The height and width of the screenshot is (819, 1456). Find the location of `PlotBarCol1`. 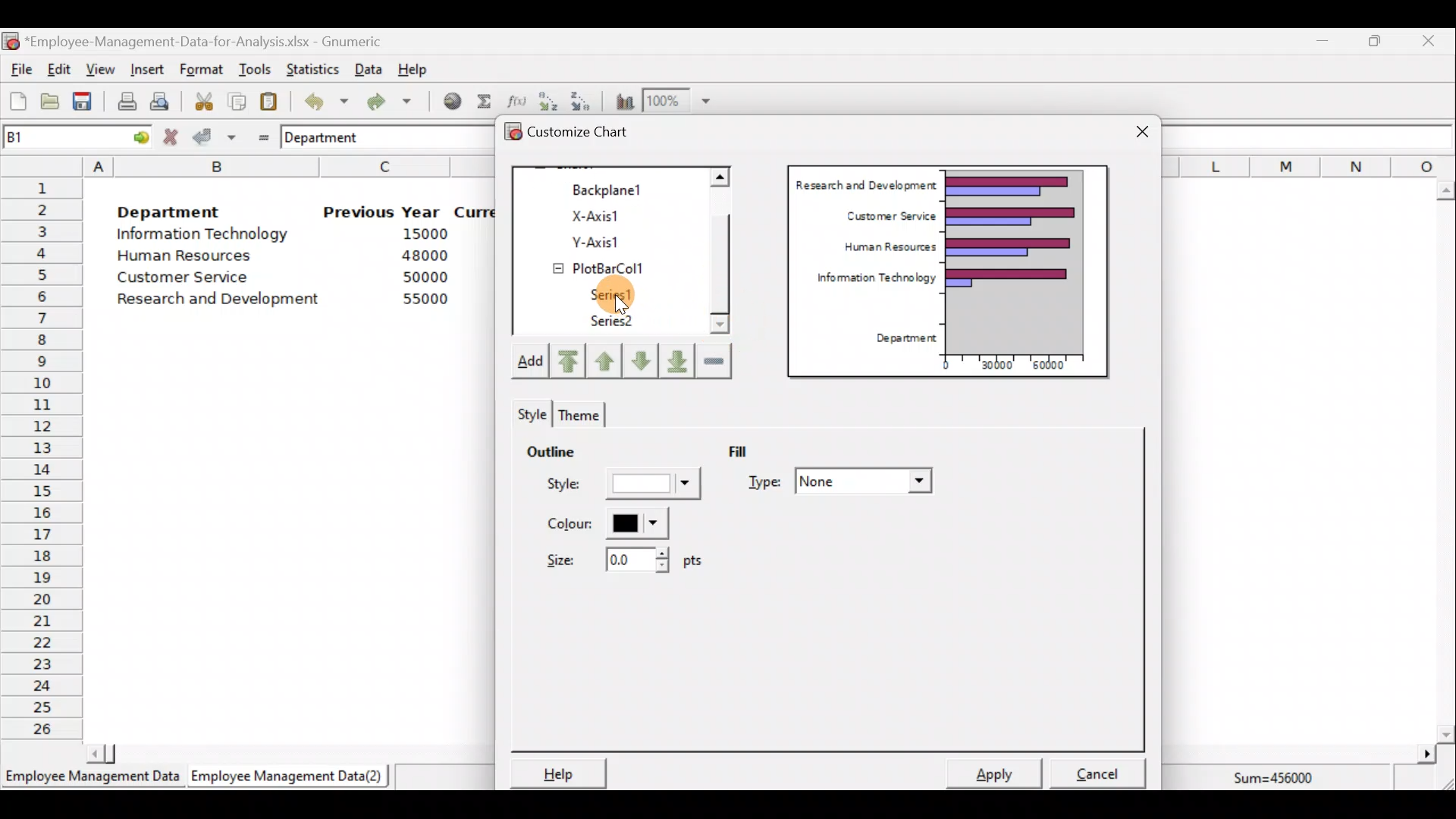

PlotBarCol1 is located at coordinates (612, 263).